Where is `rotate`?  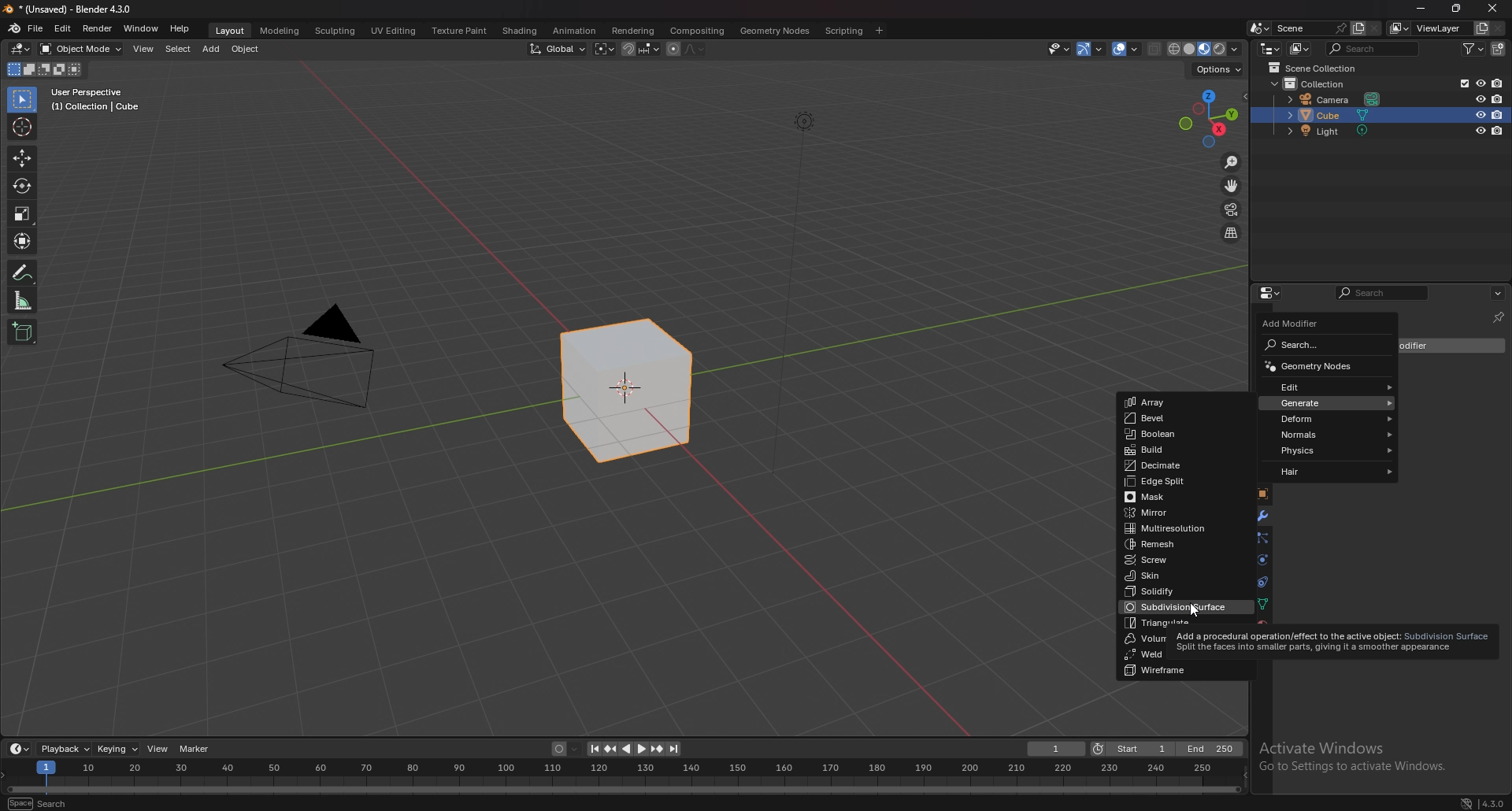
rotate is located at coordinates (21, 186).